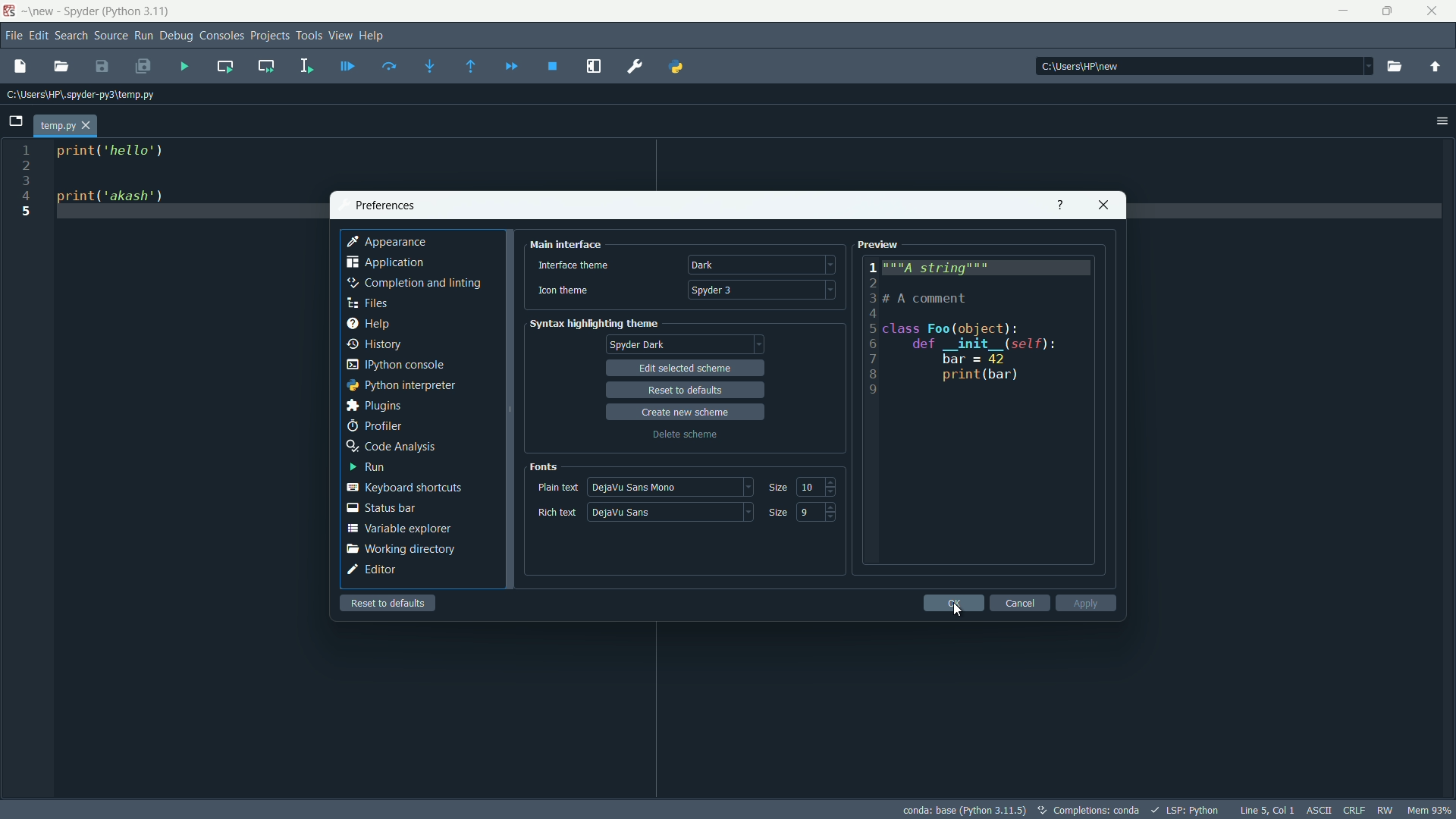 The height and width of the screenshot is (819, 1456). Describe the element at coordinates (1085, 603) in the screenshot. I see `apply` at that location.